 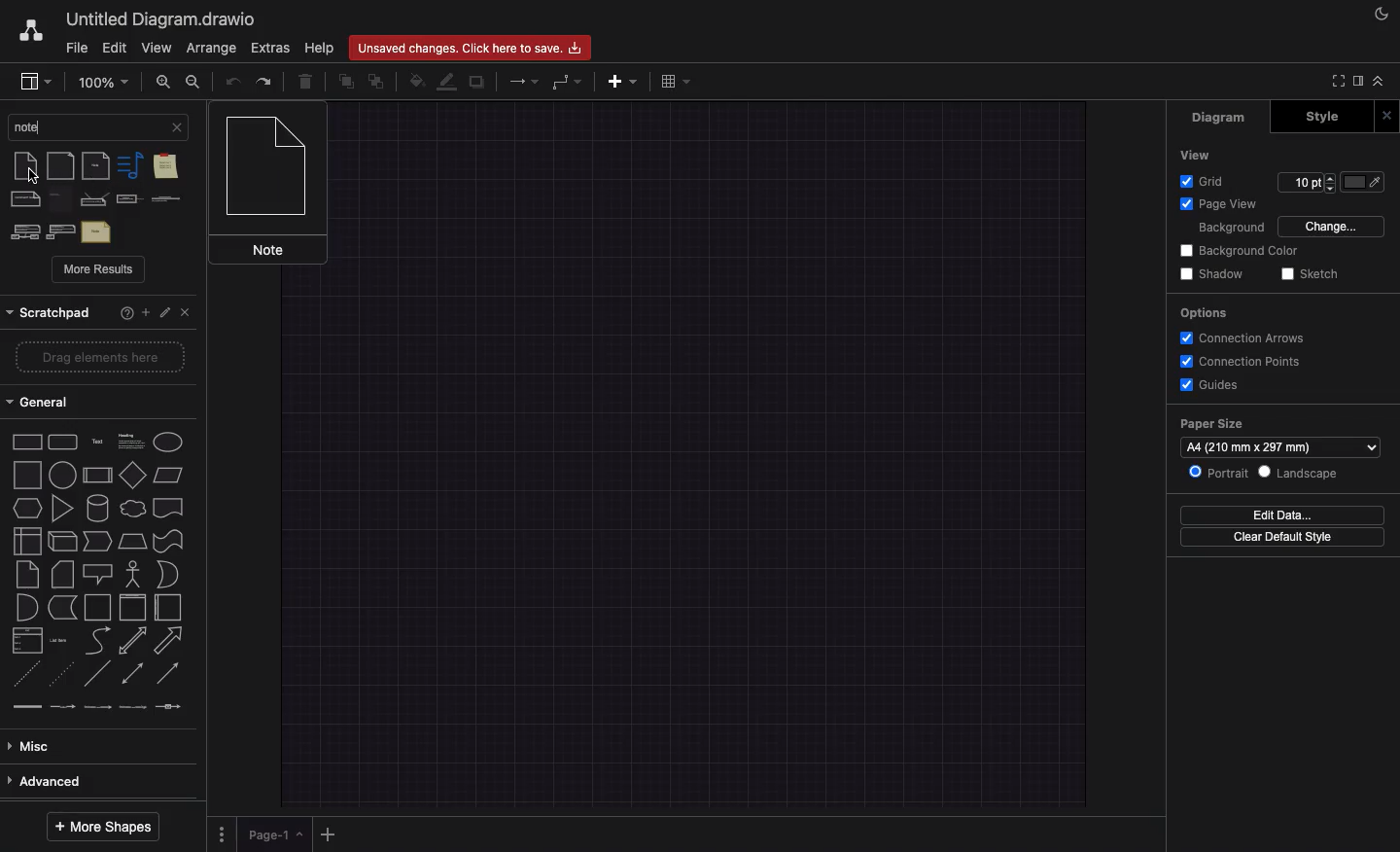 What do you see at coordinates (25, 444) in the screenshot?
I see `rectangle` at bounding box center [25, 444].